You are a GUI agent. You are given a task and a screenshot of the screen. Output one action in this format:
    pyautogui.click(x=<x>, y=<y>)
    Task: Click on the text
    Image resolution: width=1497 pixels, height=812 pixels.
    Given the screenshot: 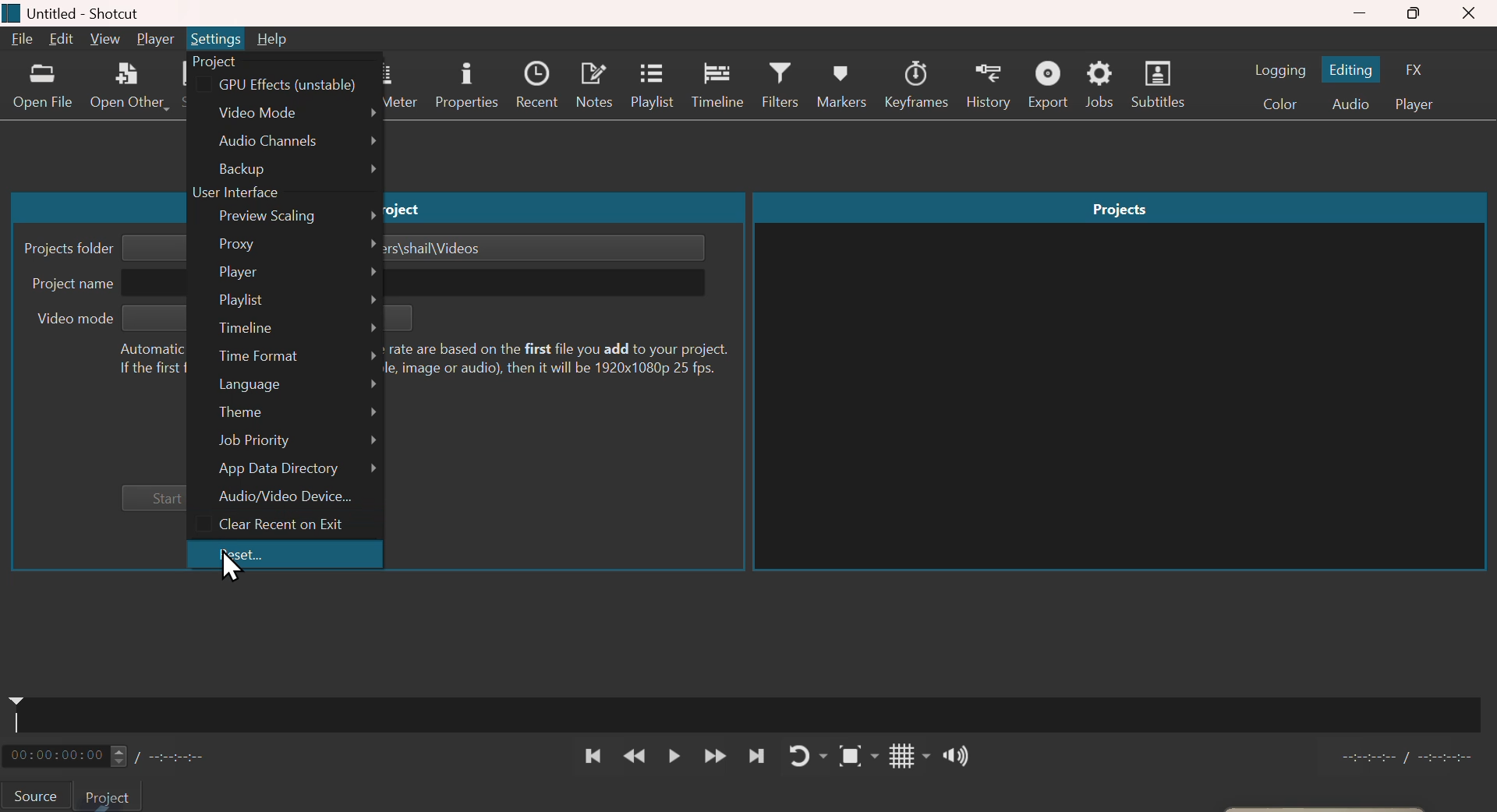 What is the action you would take?
    pyautogui.click(x=143, y=358)
    